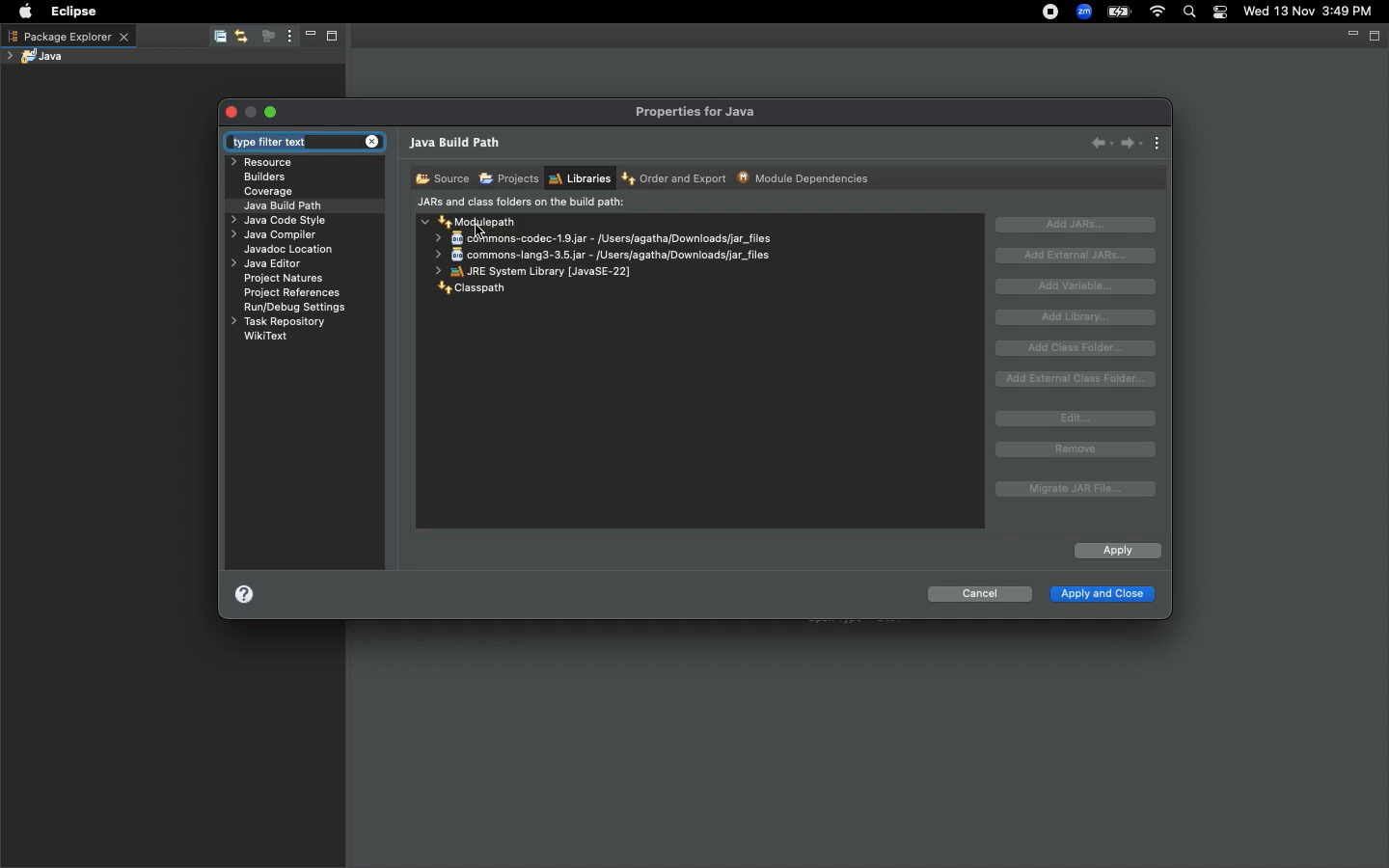  I want to click on Properties for java, so click(697, 112).